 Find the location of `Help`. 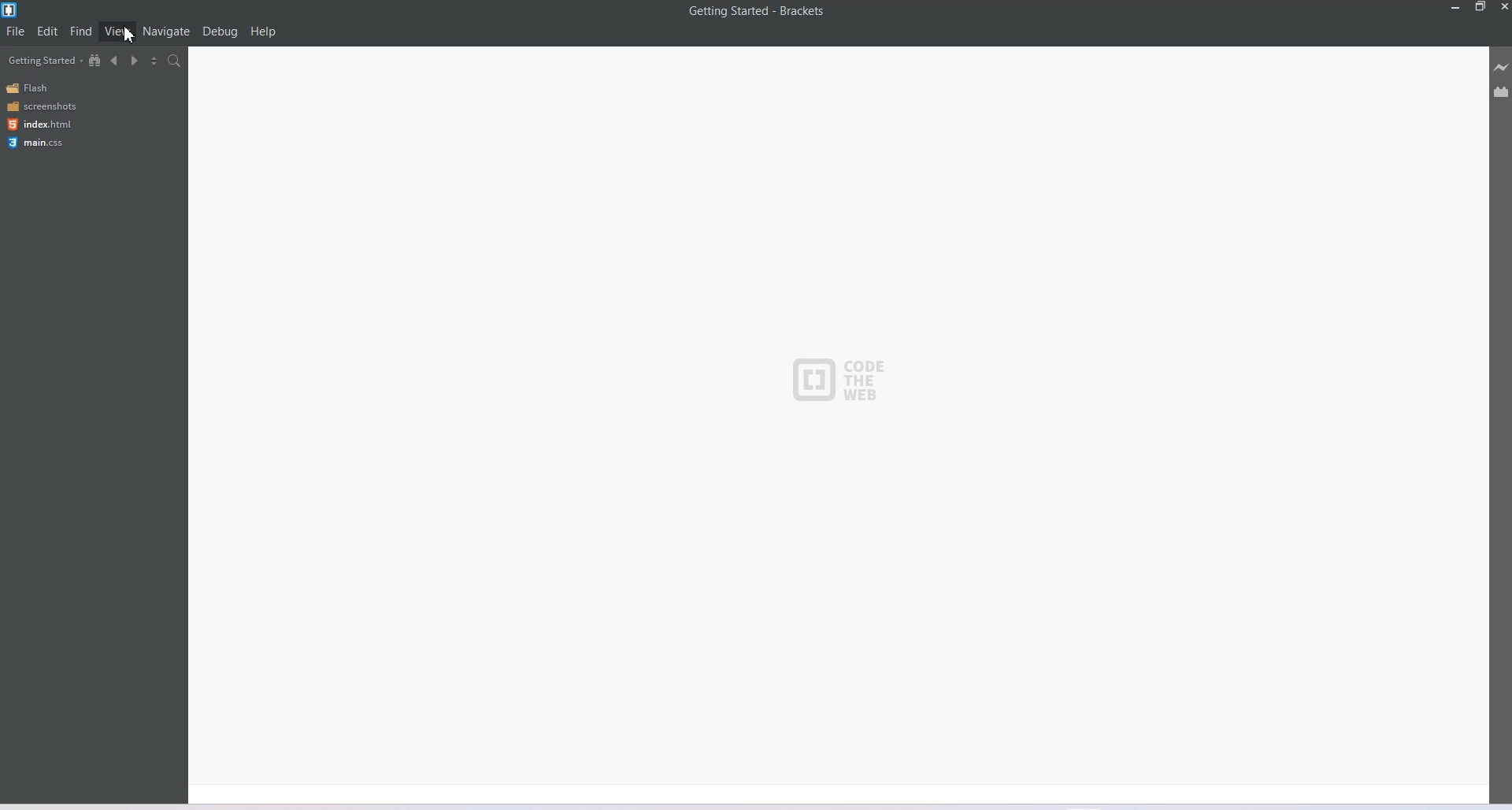

Help is located at coordinates (263, 32).